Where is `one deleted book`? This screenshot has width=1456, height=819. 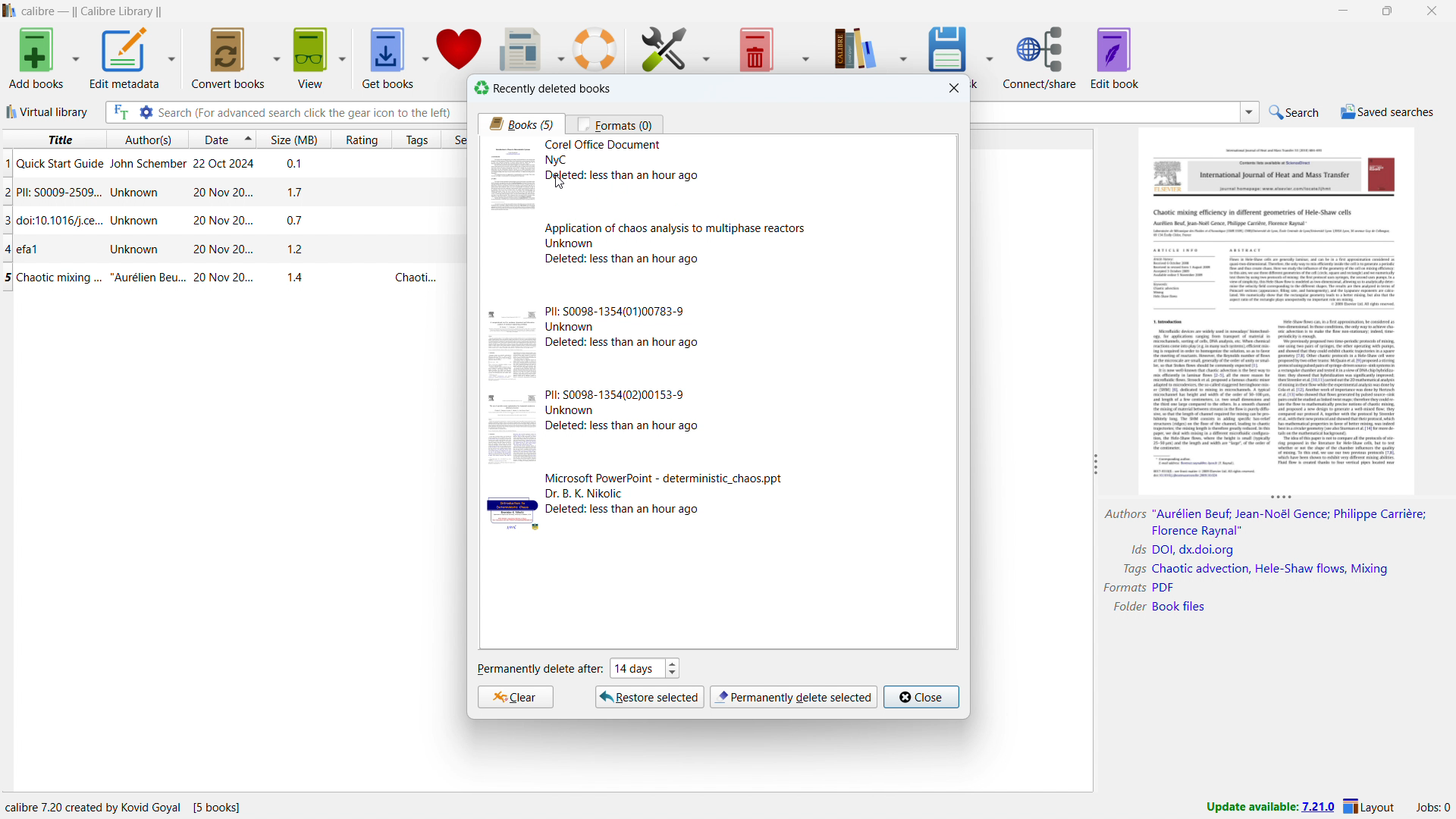
one deleted book is located at coordinates (721, 422).